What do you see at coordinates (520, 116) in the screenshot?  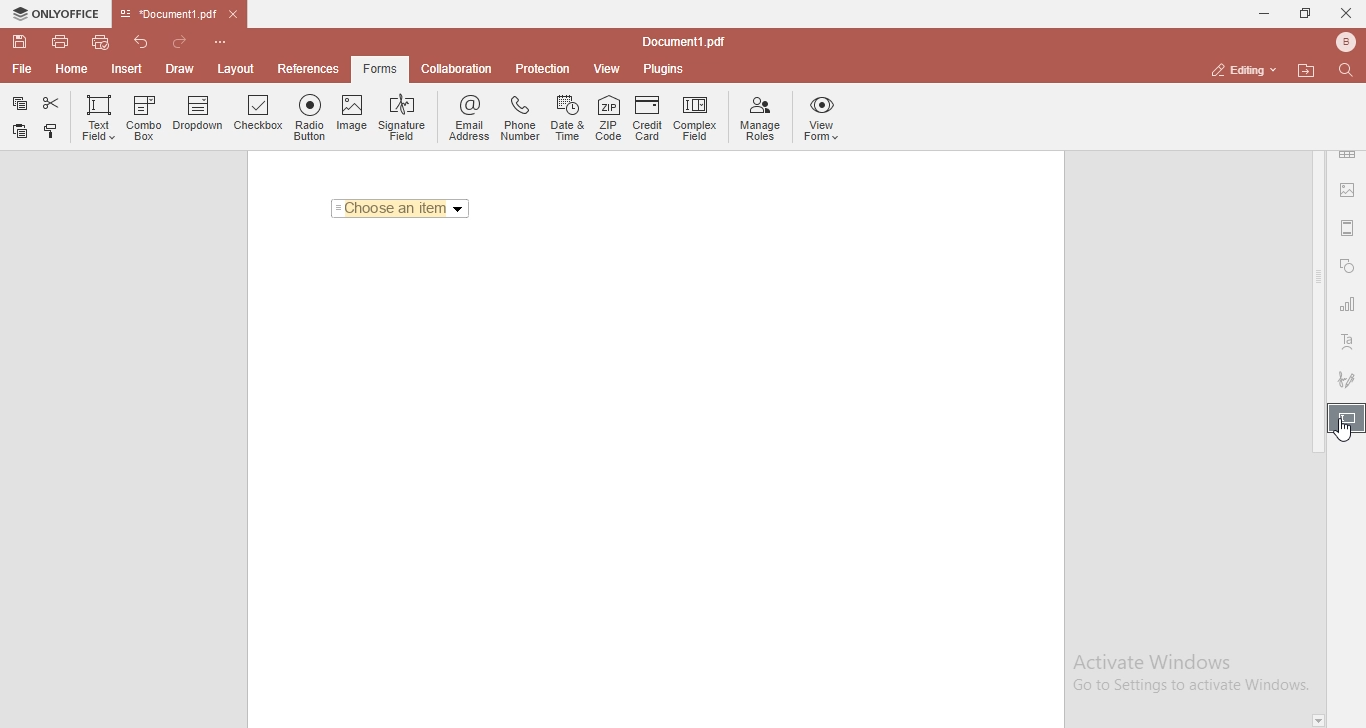 I see `phone number` at bounding box center [520, 116].